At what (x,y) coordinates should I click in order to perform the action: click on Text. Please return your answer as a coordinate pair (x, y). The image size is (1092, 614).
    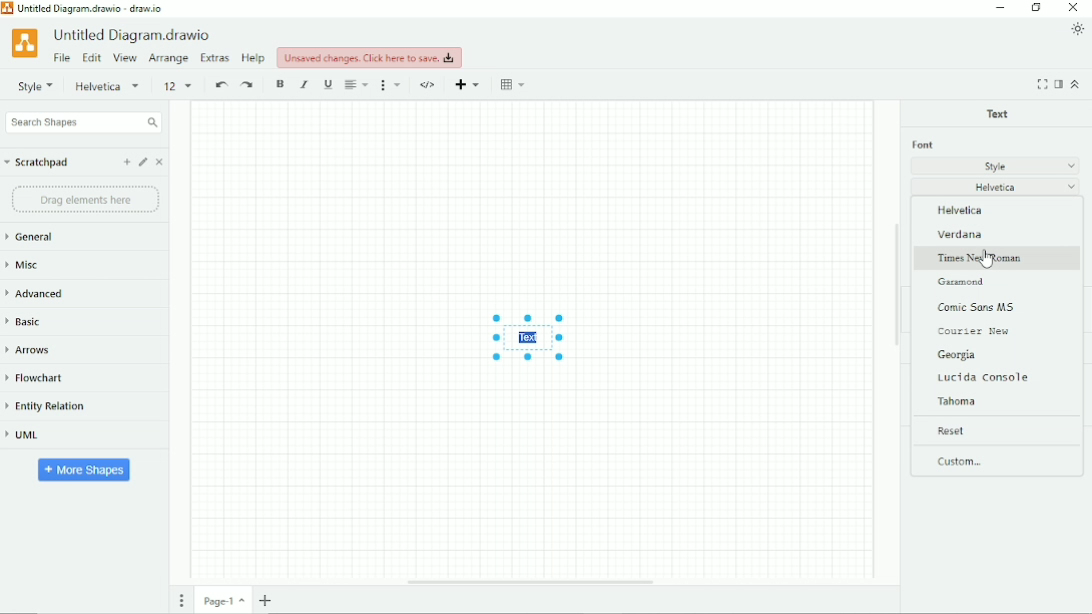
    Looking at the image, I should click on (530, 338).